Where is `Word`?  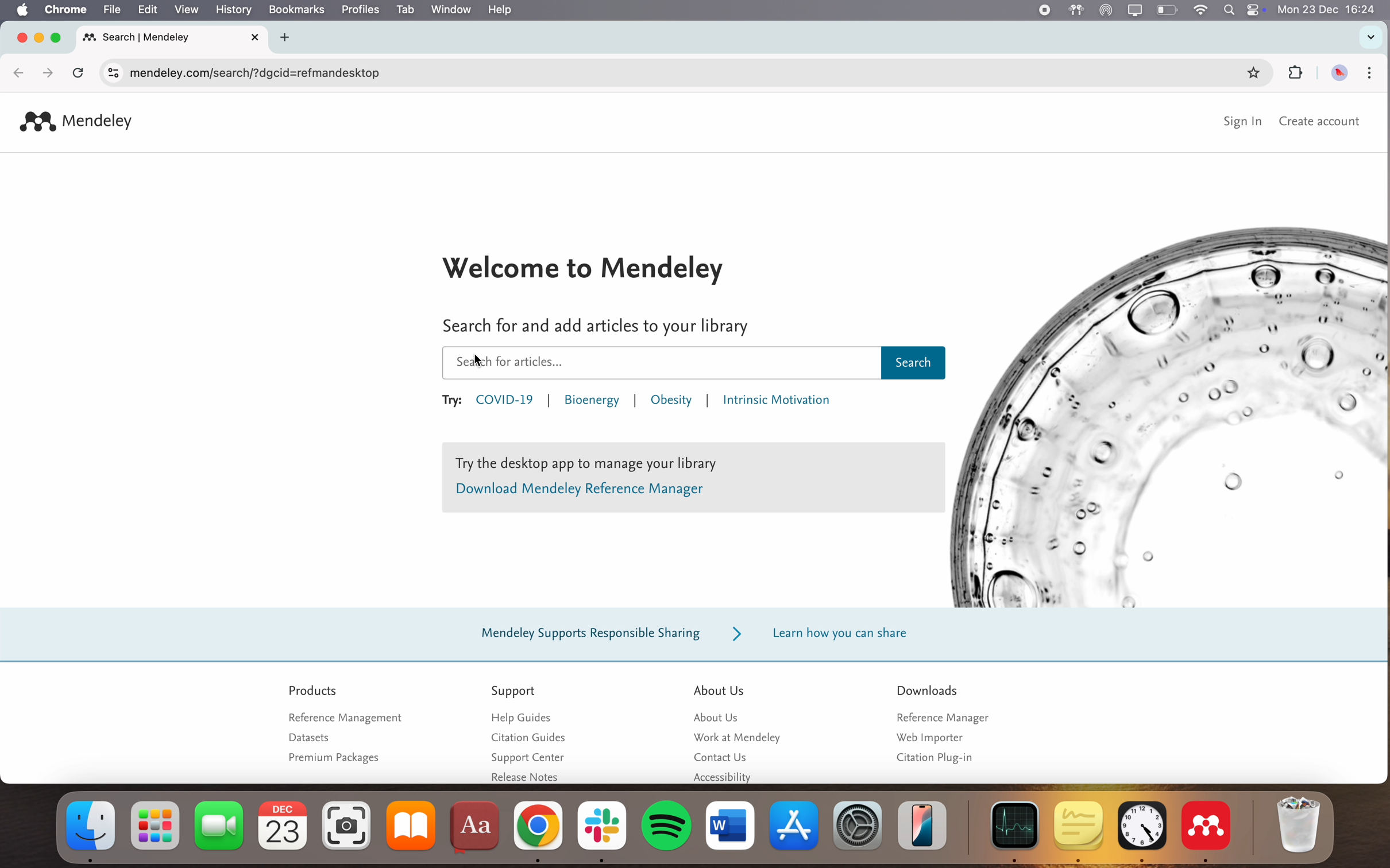
Word is located at coordinates (730, 826).